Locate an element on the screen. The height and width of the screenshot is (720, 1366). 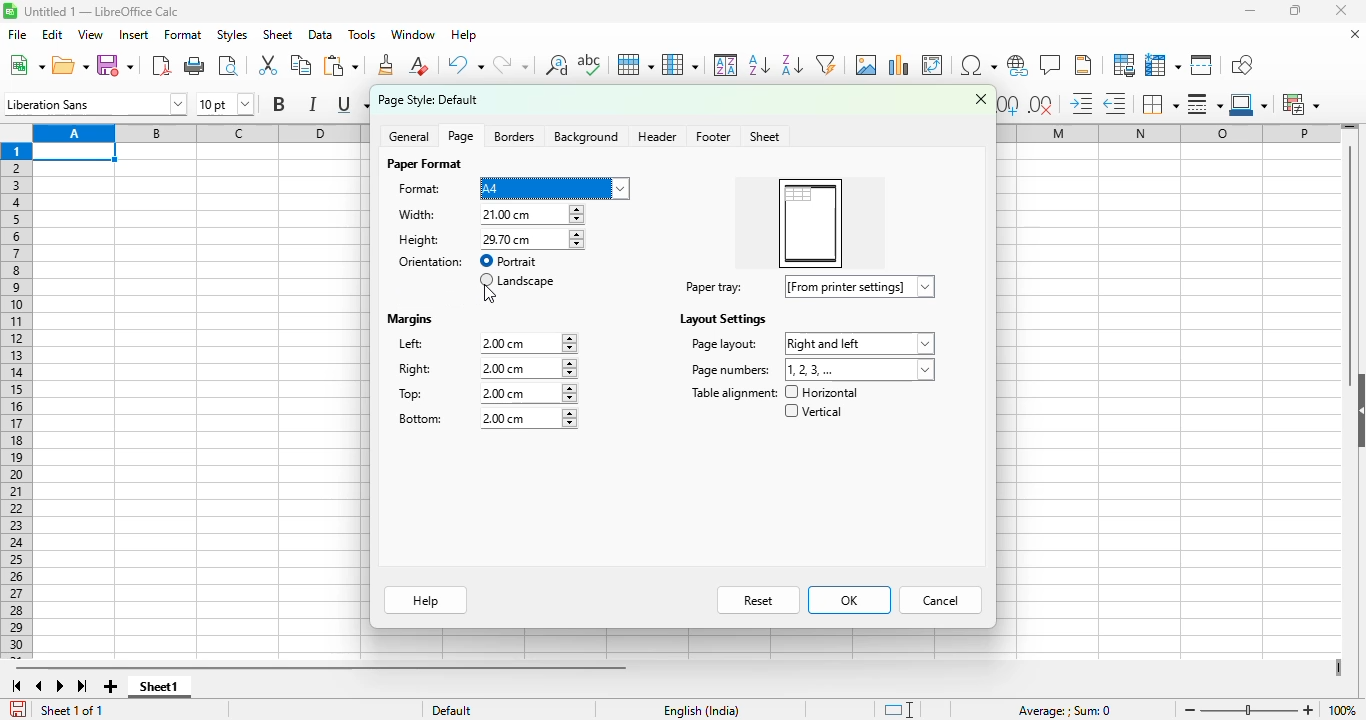
copy is located at coordinates (301, 64).